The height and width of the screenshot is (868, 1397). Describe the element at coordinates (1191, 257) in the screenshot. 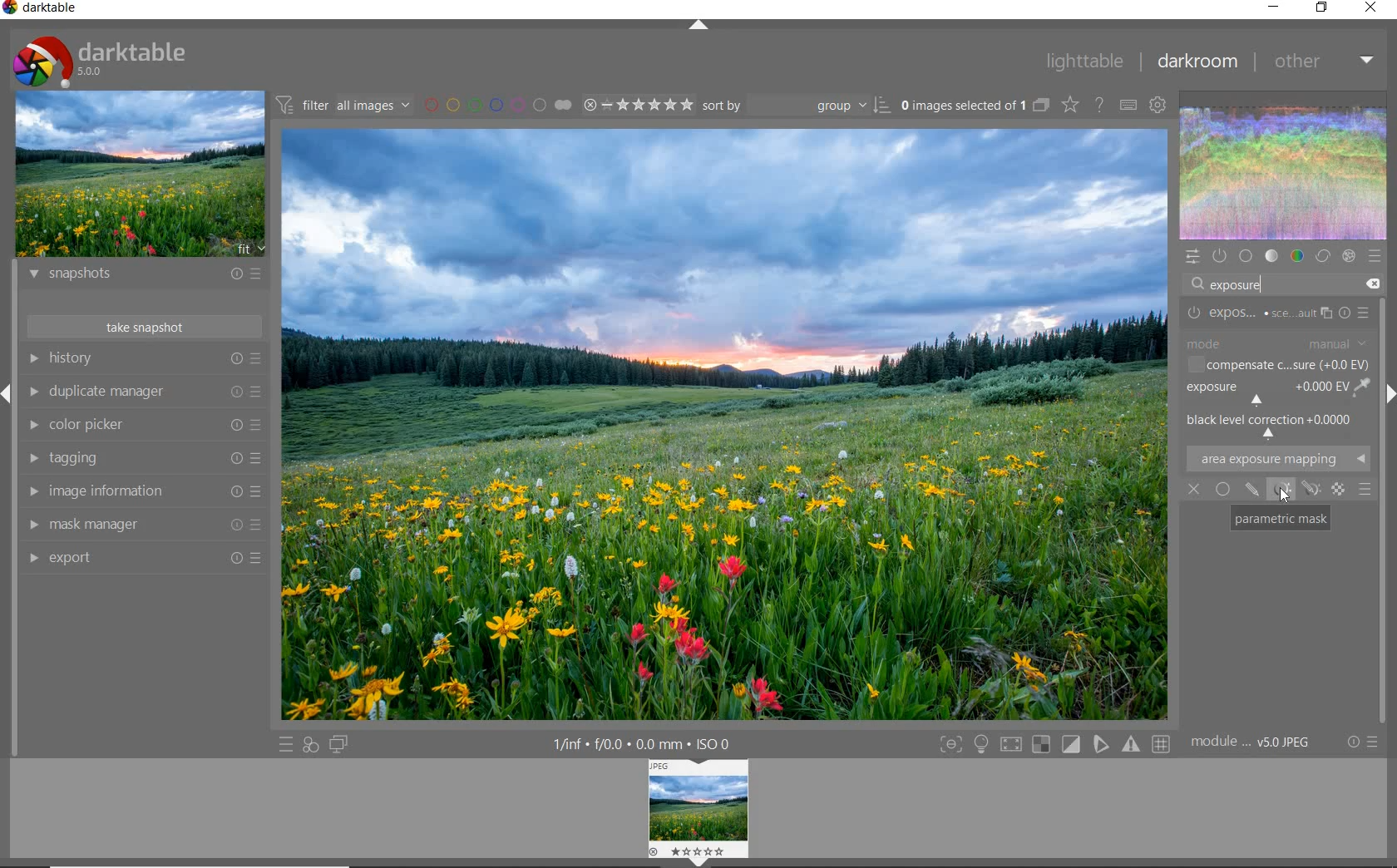

I see `quick access panel` at that location.